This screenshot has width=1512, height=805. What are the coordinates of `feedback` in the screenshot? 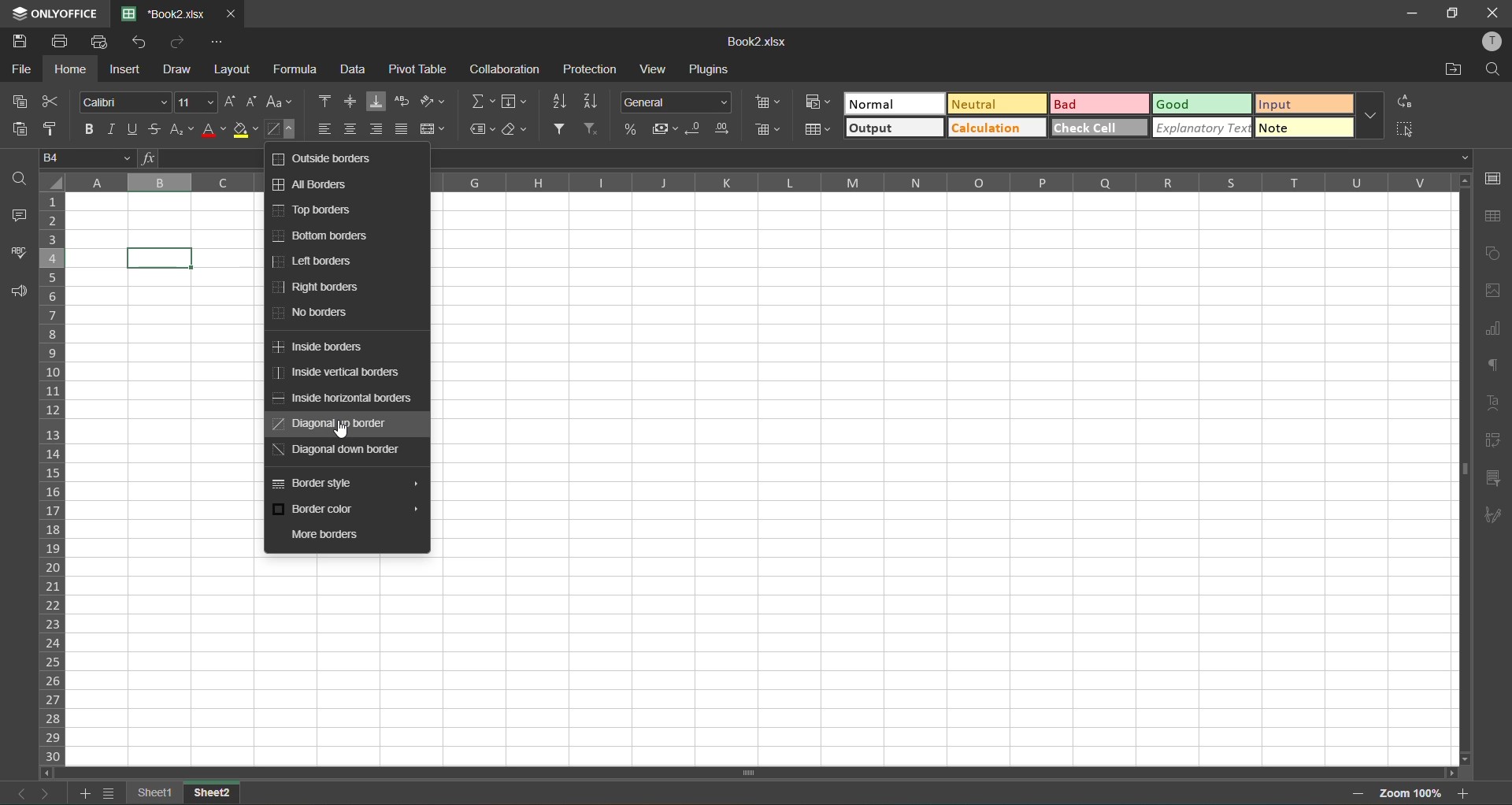 It's located at (14, 292).